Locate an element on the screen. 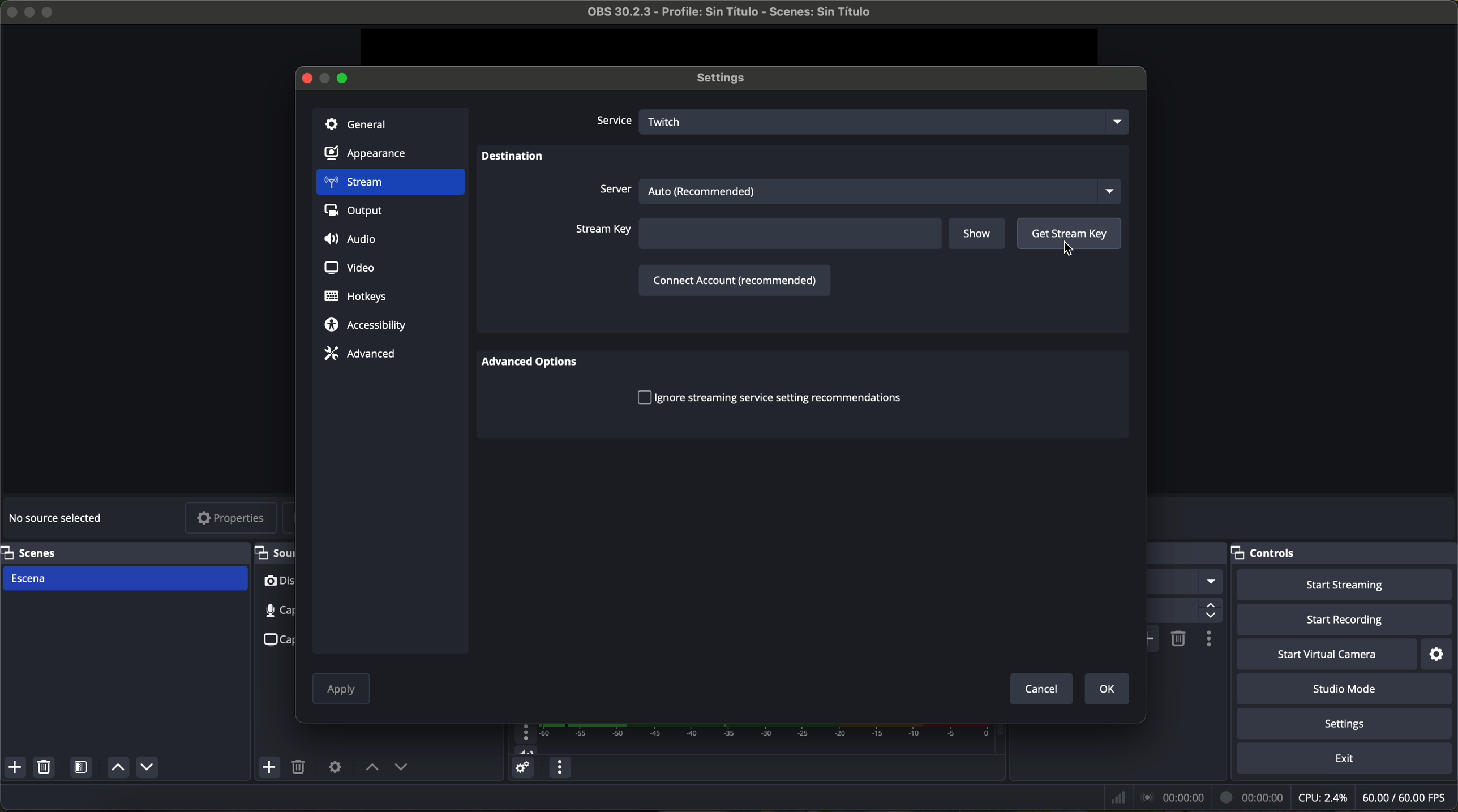  exit is located at coordinates (1346, 761).